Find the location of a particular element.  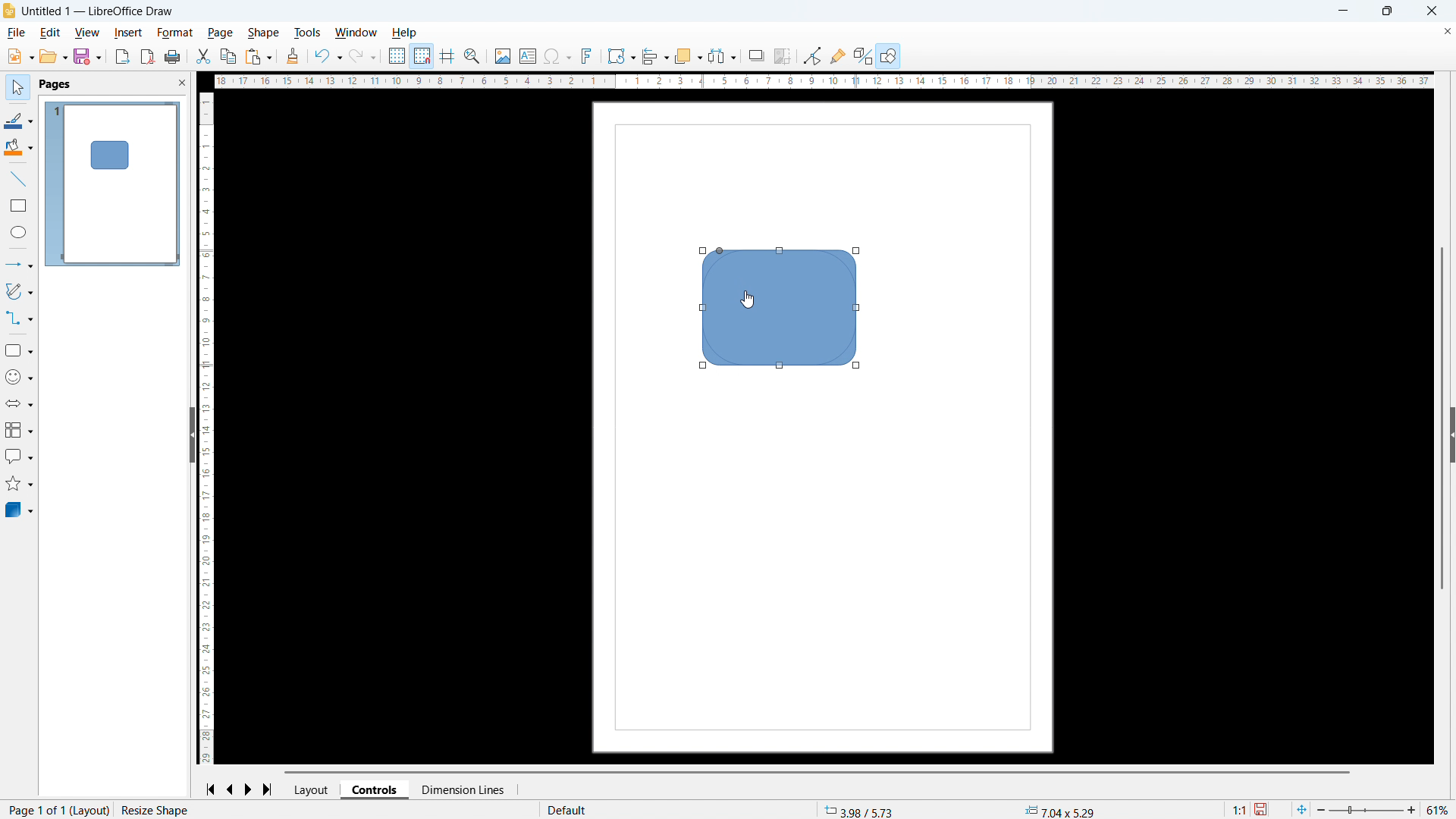

Insert symbols  is located at coordinates (557, 57).